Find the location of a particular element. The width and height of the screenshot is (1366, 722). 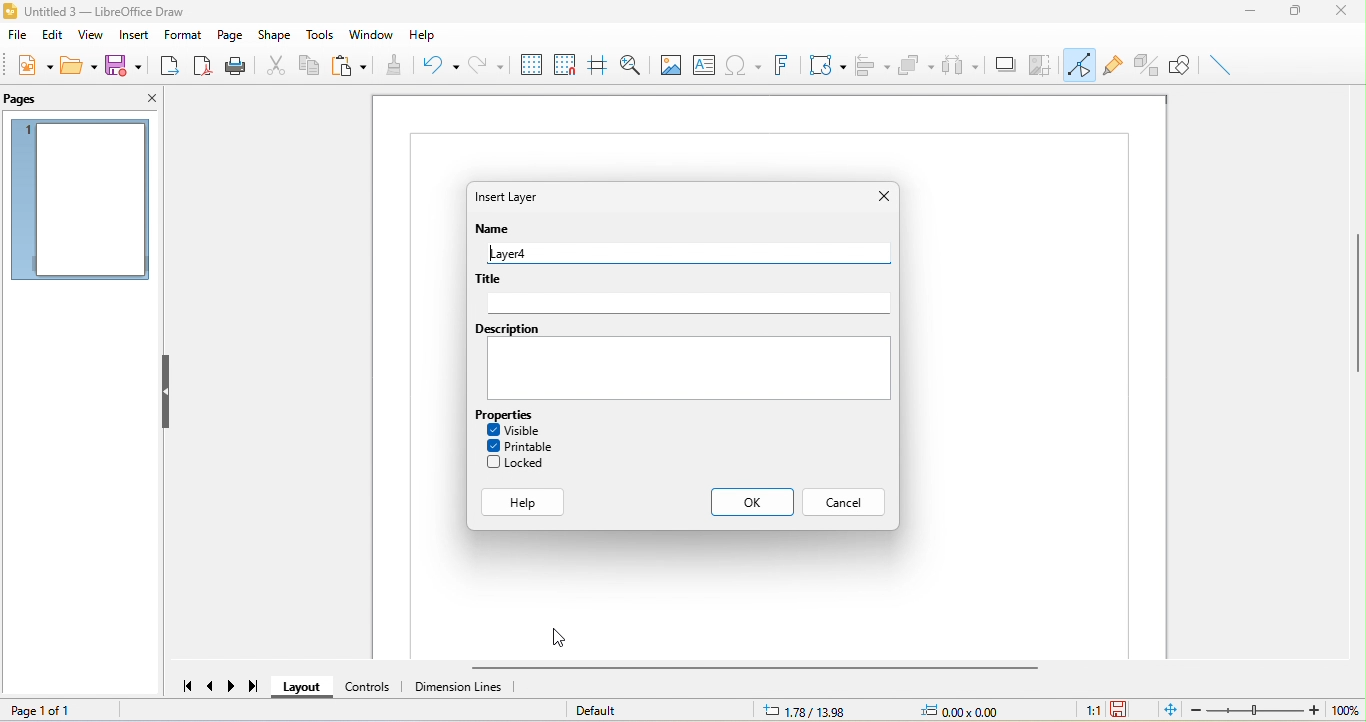

shape is located at coordinates (274, 35).